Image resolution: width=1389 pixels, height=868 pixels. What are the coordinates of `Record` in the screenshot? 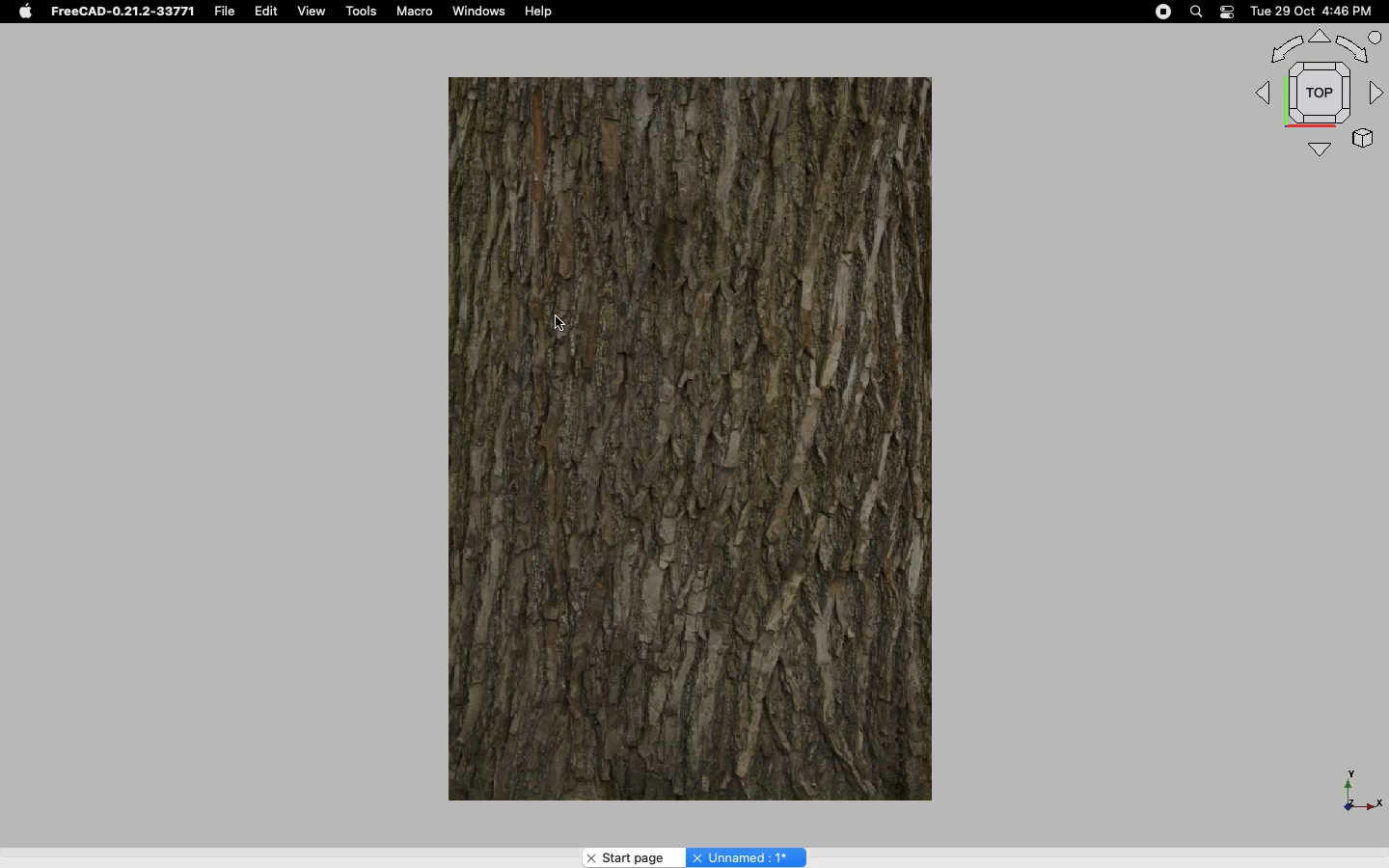 It's located at (1158, 12).